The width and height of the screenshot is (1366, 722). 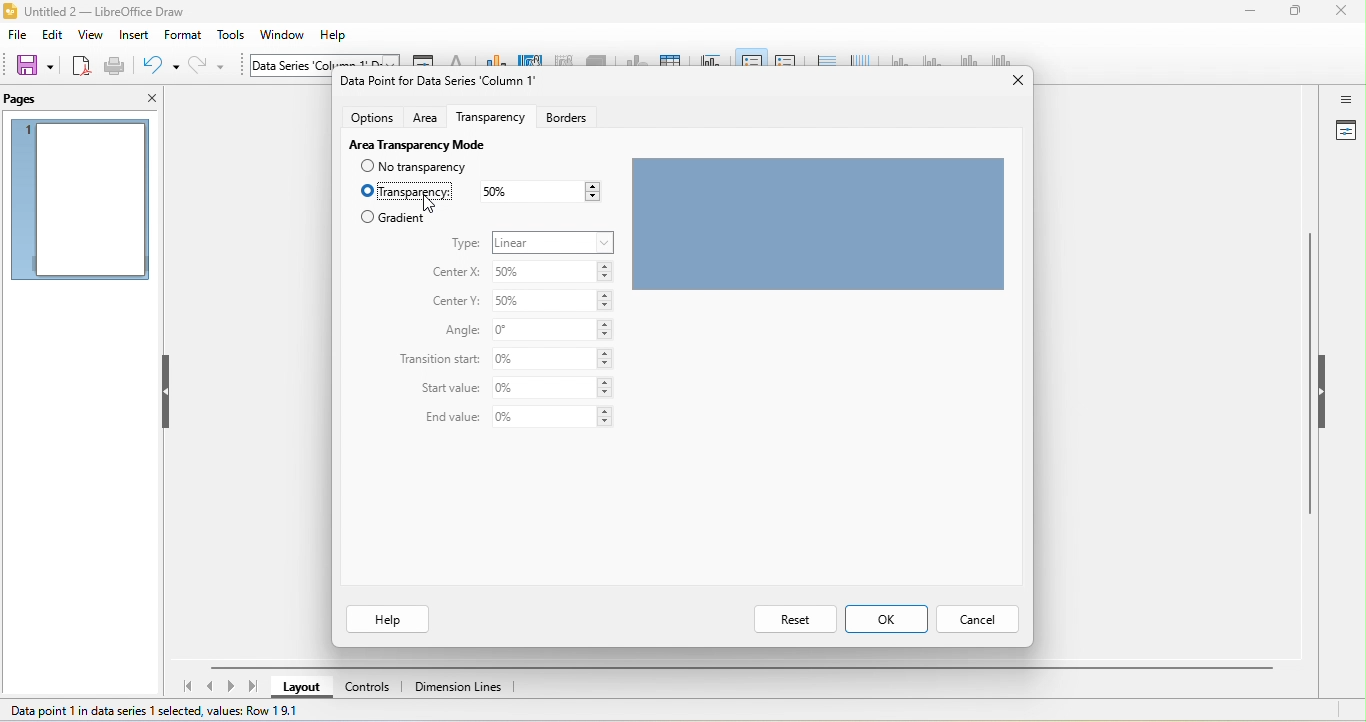 What do you see at coordinates (133, 35) in the screenshot?
I see `insert` at bounding box center [133, 35].